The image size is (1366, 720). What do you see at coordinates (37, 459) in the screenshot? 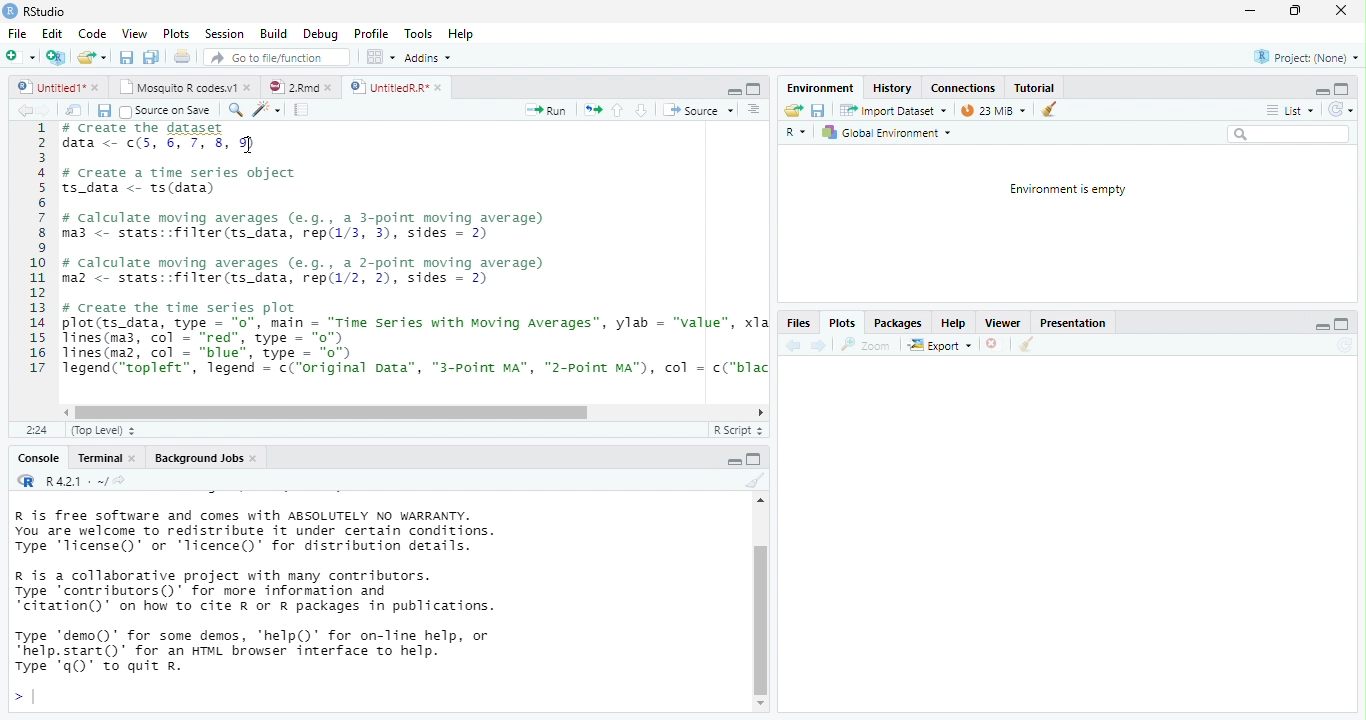
I see `Console` at bounding box center [37, 459].